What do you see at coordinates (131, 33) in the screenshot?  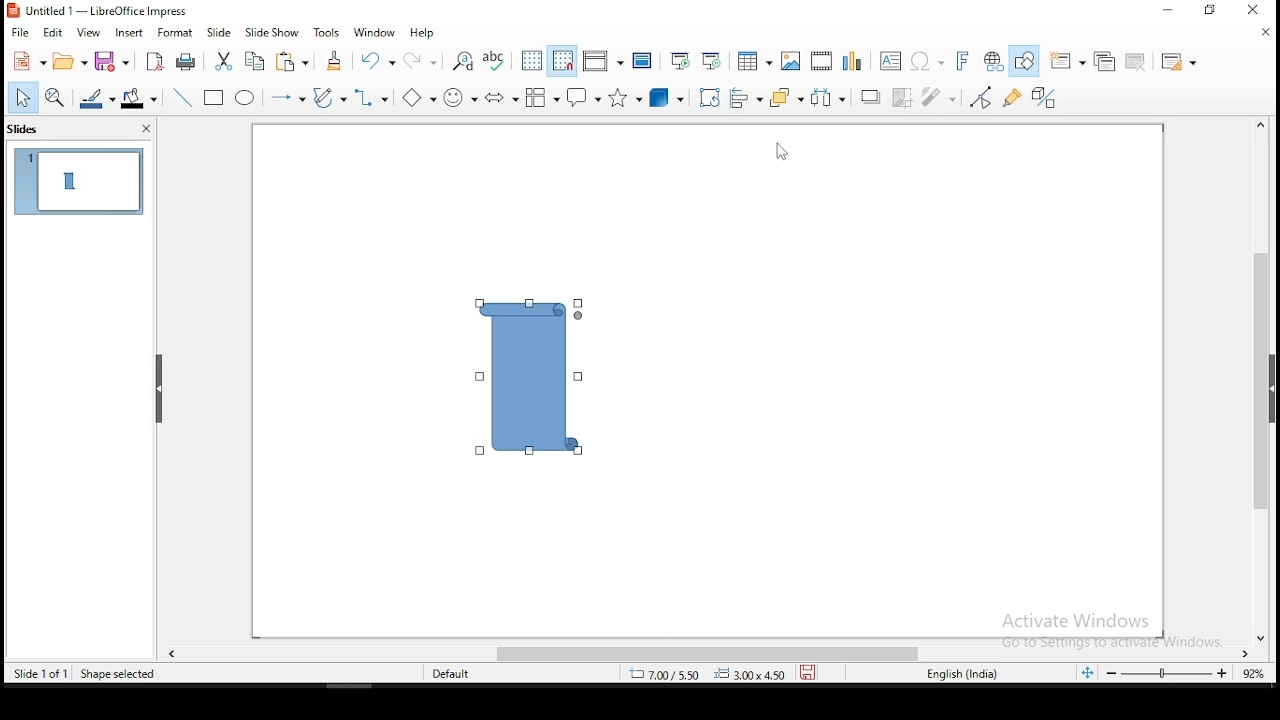 I see `insert` at bounding box center [131, 33].